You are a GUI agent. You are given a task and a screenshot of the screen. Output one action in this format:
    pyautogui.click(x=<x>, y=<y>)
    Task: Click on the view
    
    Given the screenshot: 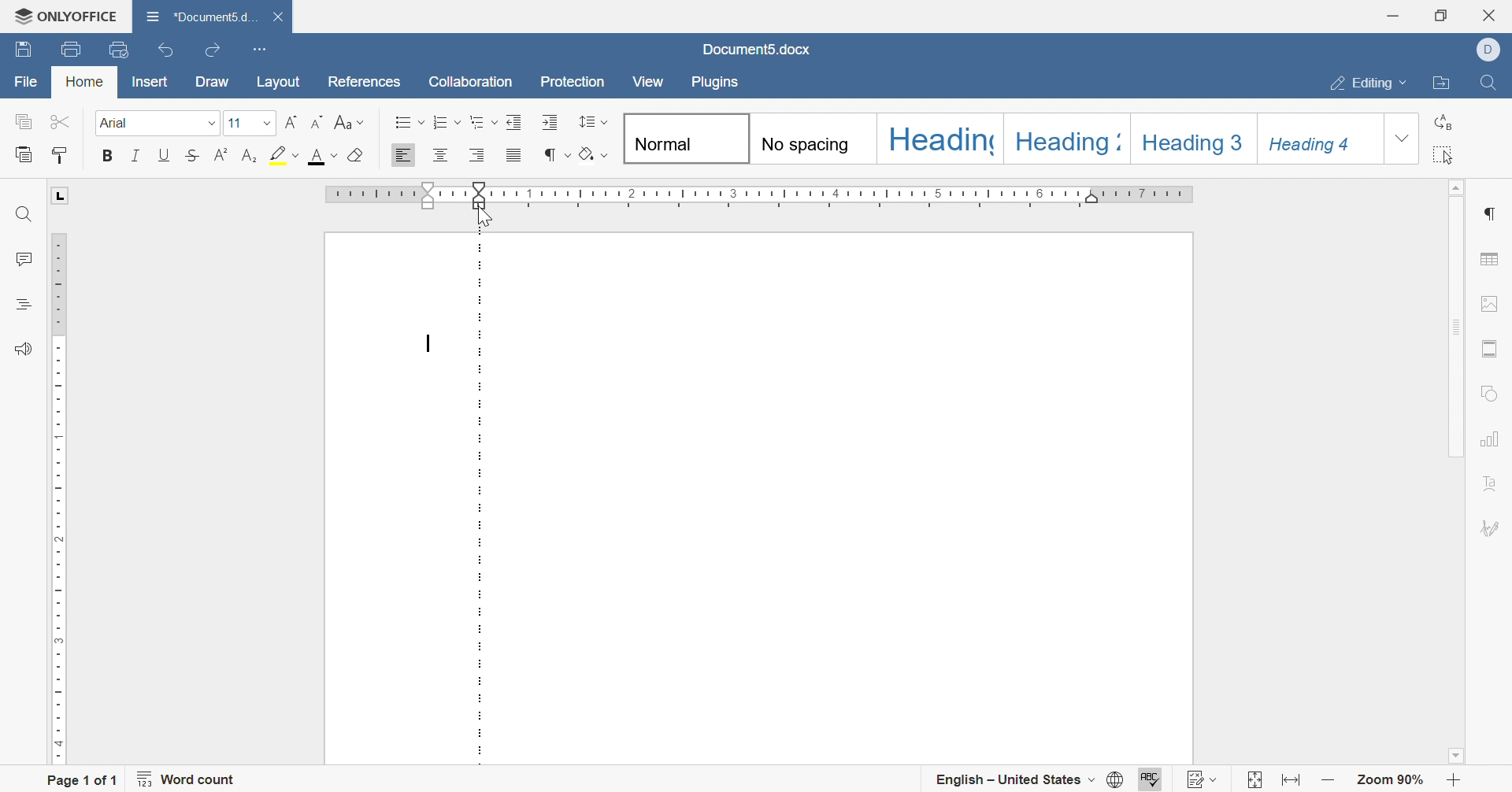 What is the action you would take?
    pyautogui.click(x=650, y=82)
    